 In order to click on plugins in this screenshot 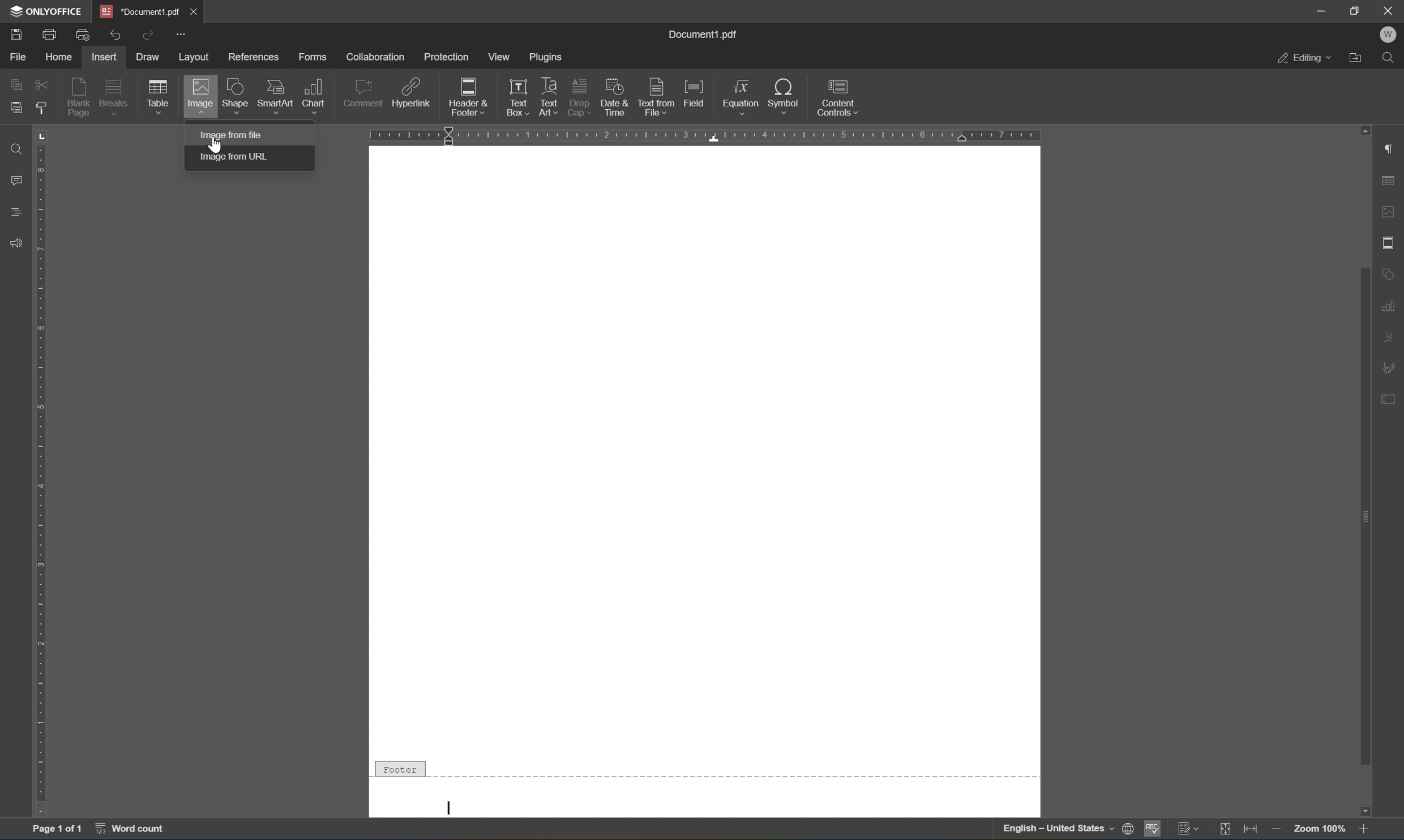, I will do `click(547, 55)`.